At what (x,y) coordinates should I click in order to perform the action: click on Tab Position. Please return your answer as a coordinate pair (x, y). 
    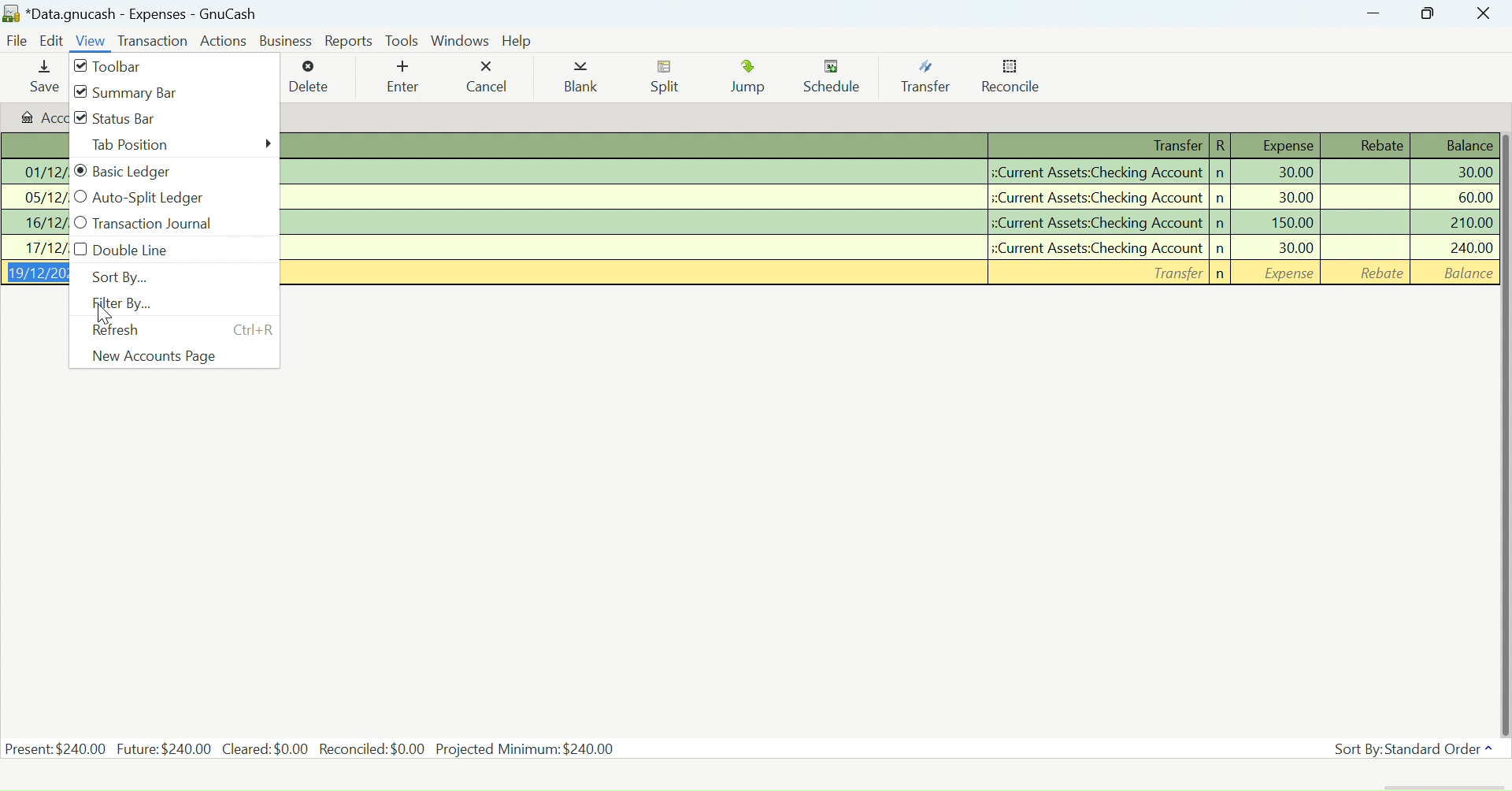
    Looking at the image, I should click on (175, 147).